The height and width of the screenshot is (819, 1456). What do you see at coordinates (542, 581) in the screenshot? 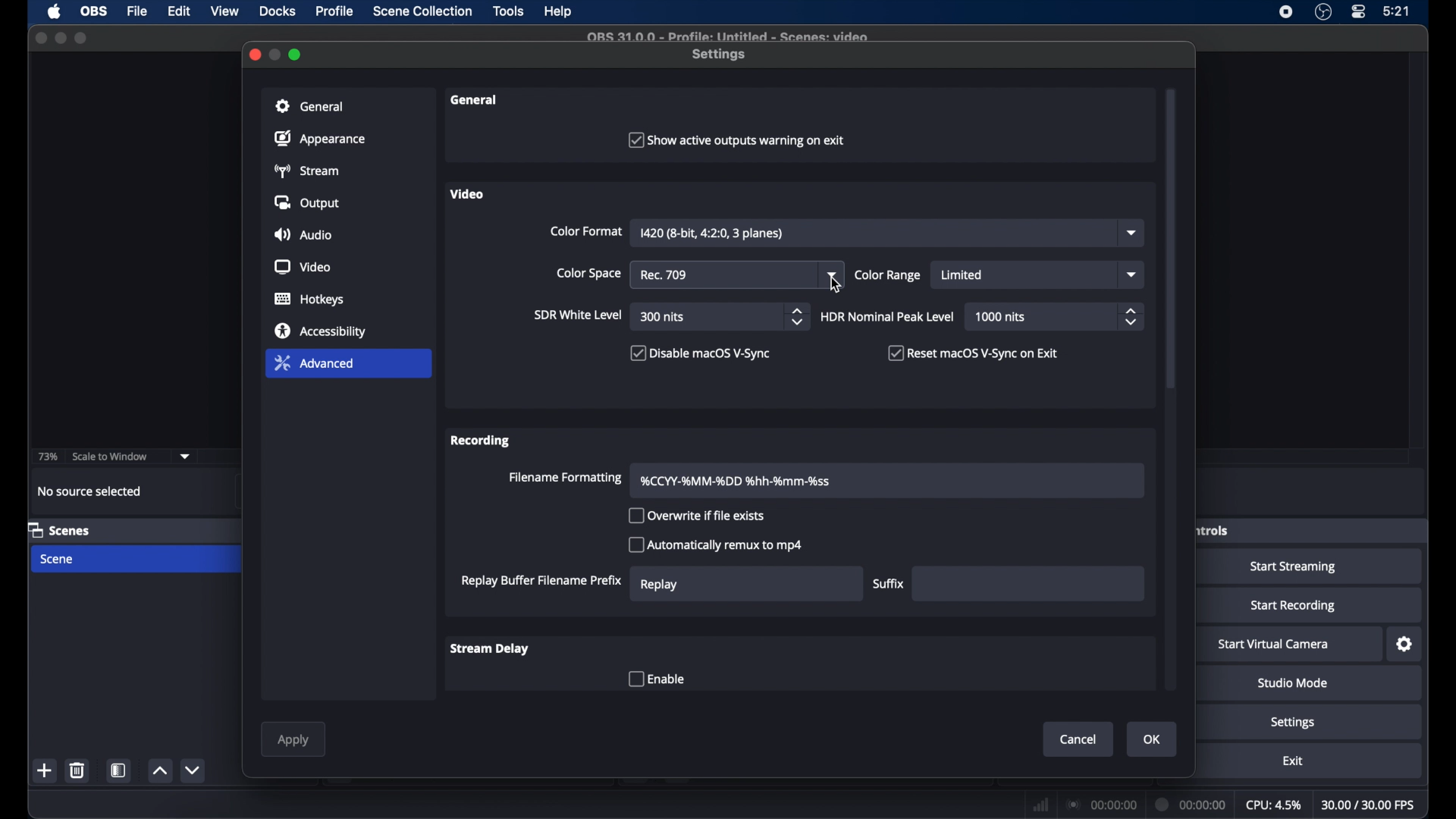
I see `replay buffer filename prefix` at bounding box center [542, 581].